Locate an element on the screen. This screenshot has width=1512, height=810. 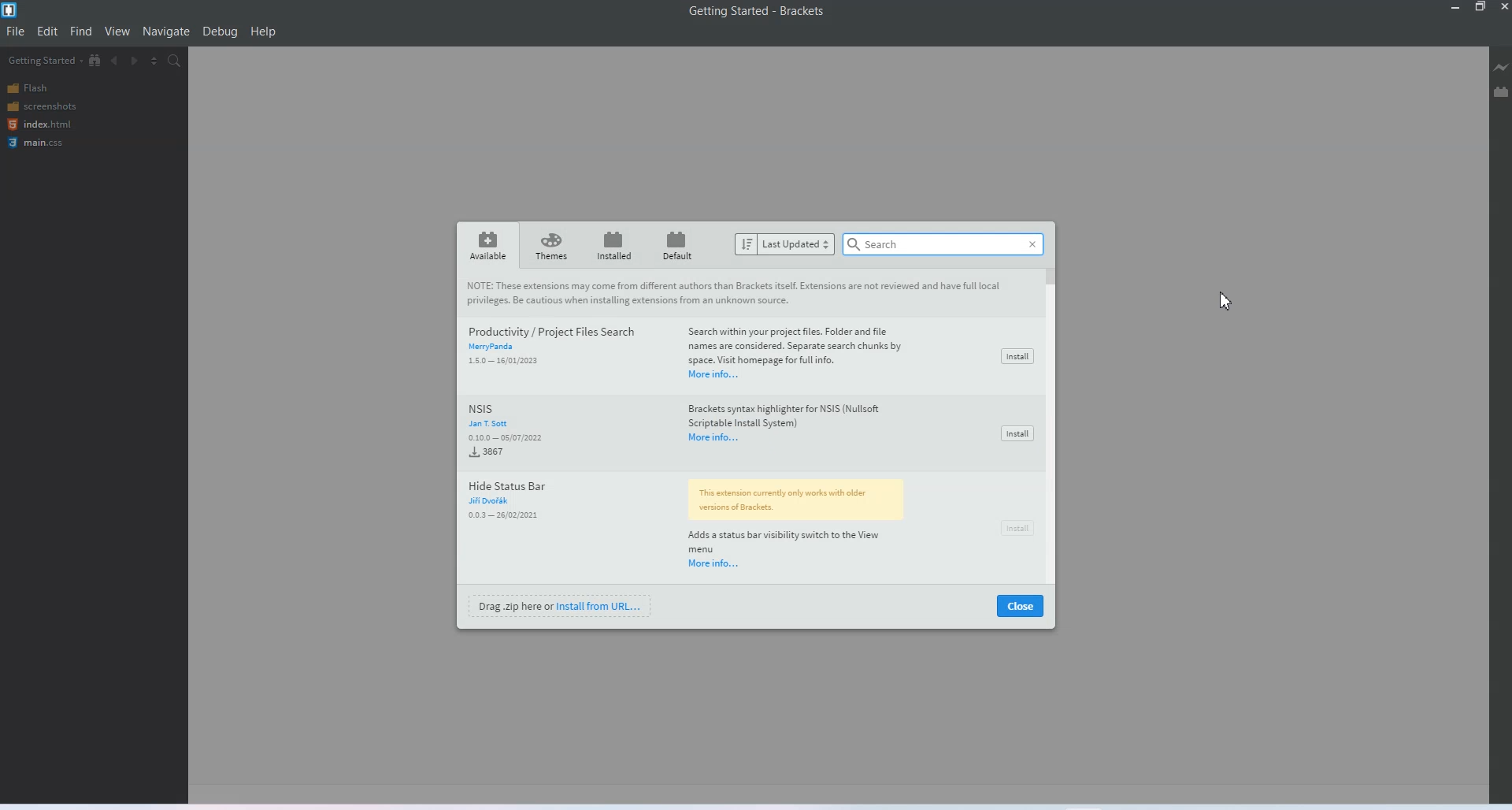
Extension manager is located at coordinates (1501, 87).